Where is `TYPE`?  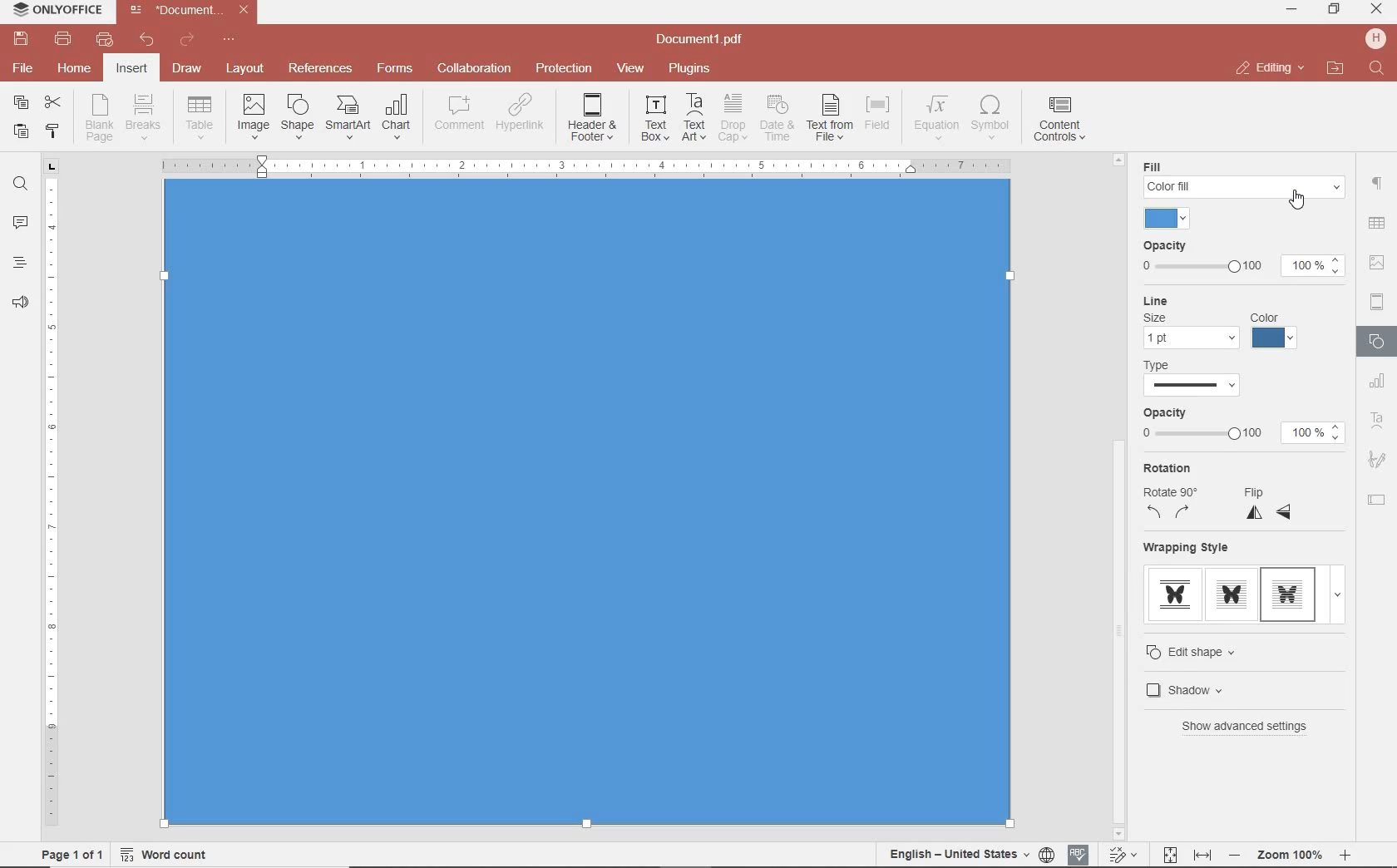 TYPE is located at coordinates (1208, 377).